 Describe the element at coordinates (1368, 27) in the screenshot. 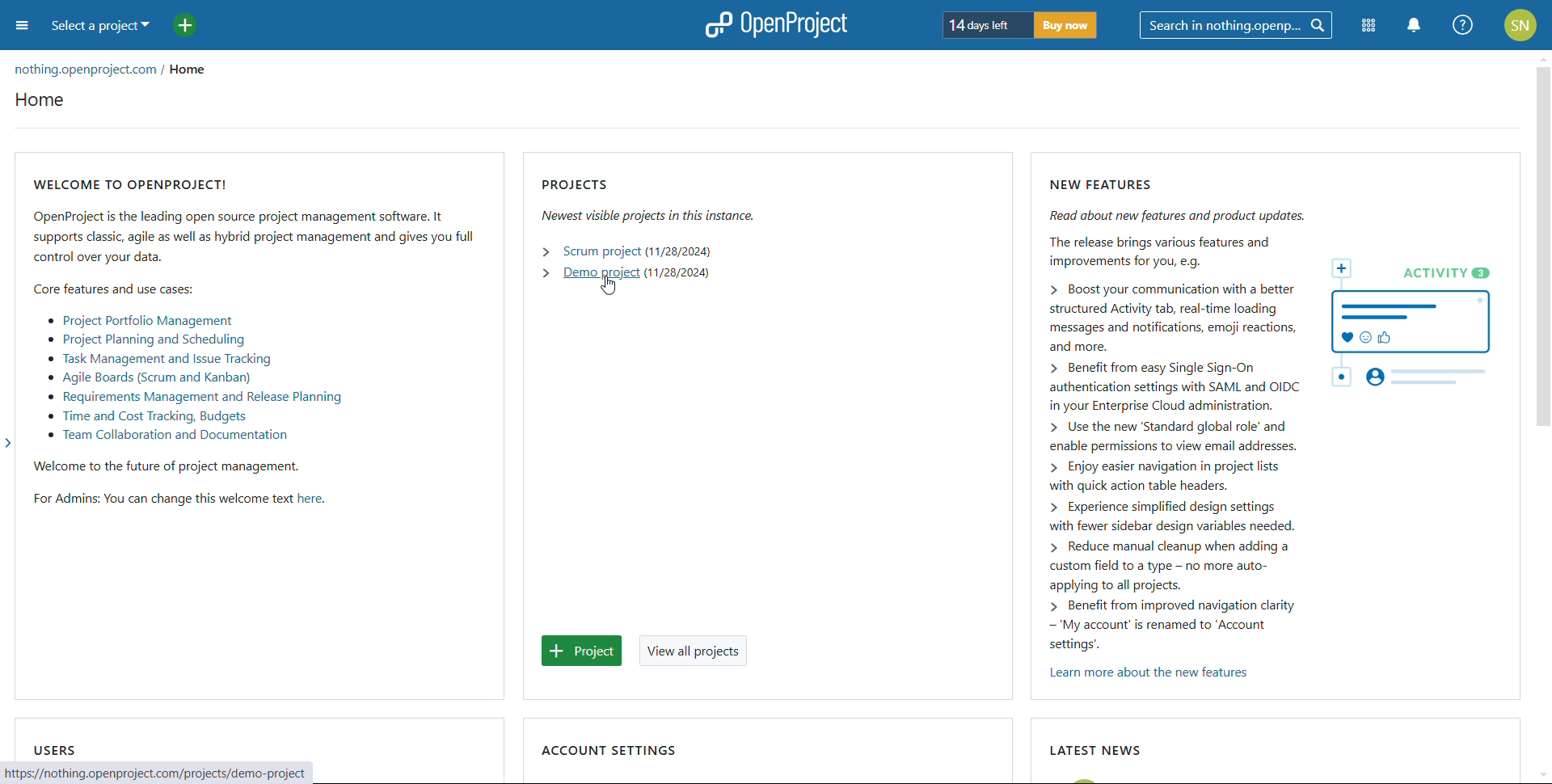

I see `modules` at that location.